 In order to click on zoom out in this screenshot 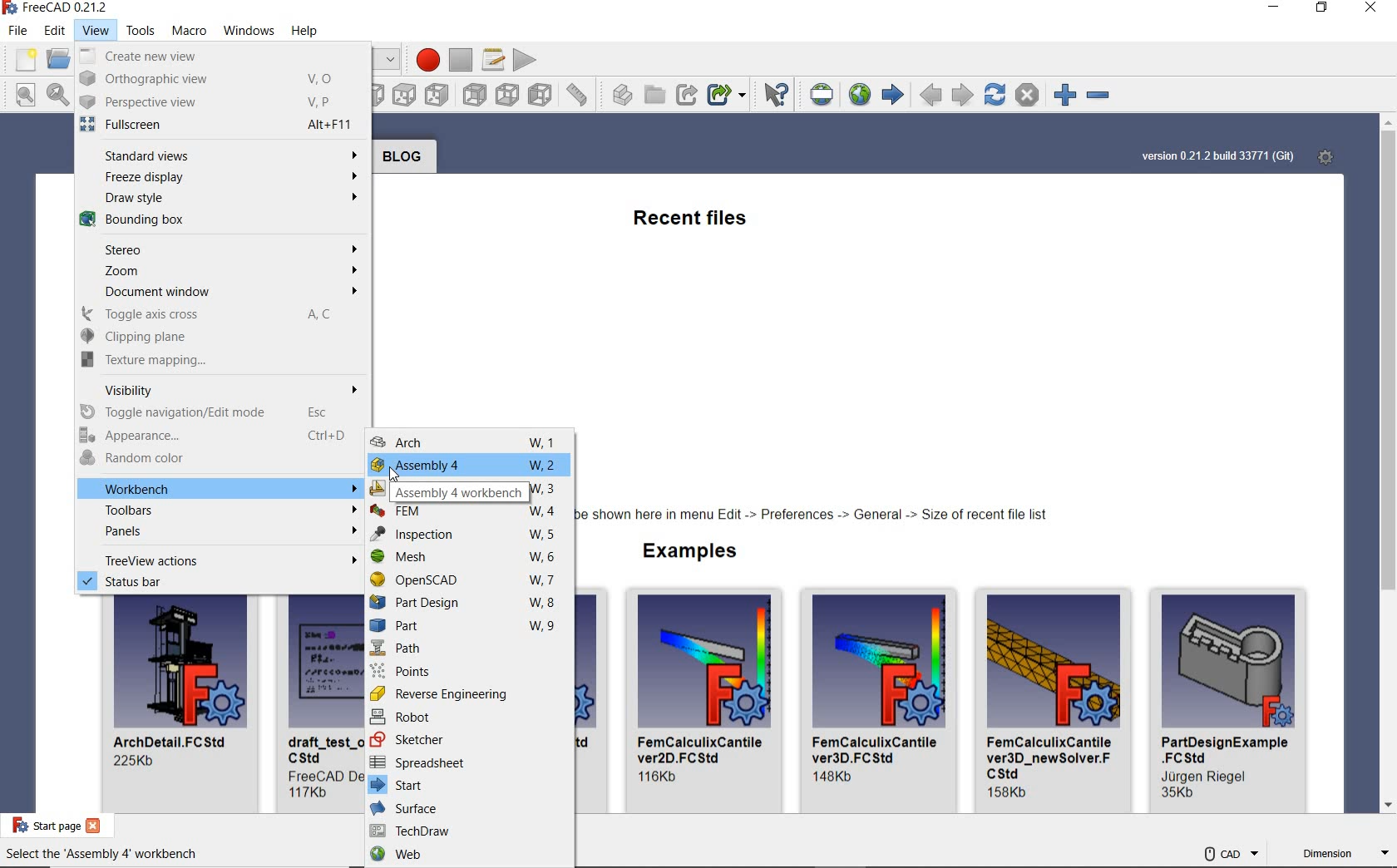, I will do `click(1103, 98)`.